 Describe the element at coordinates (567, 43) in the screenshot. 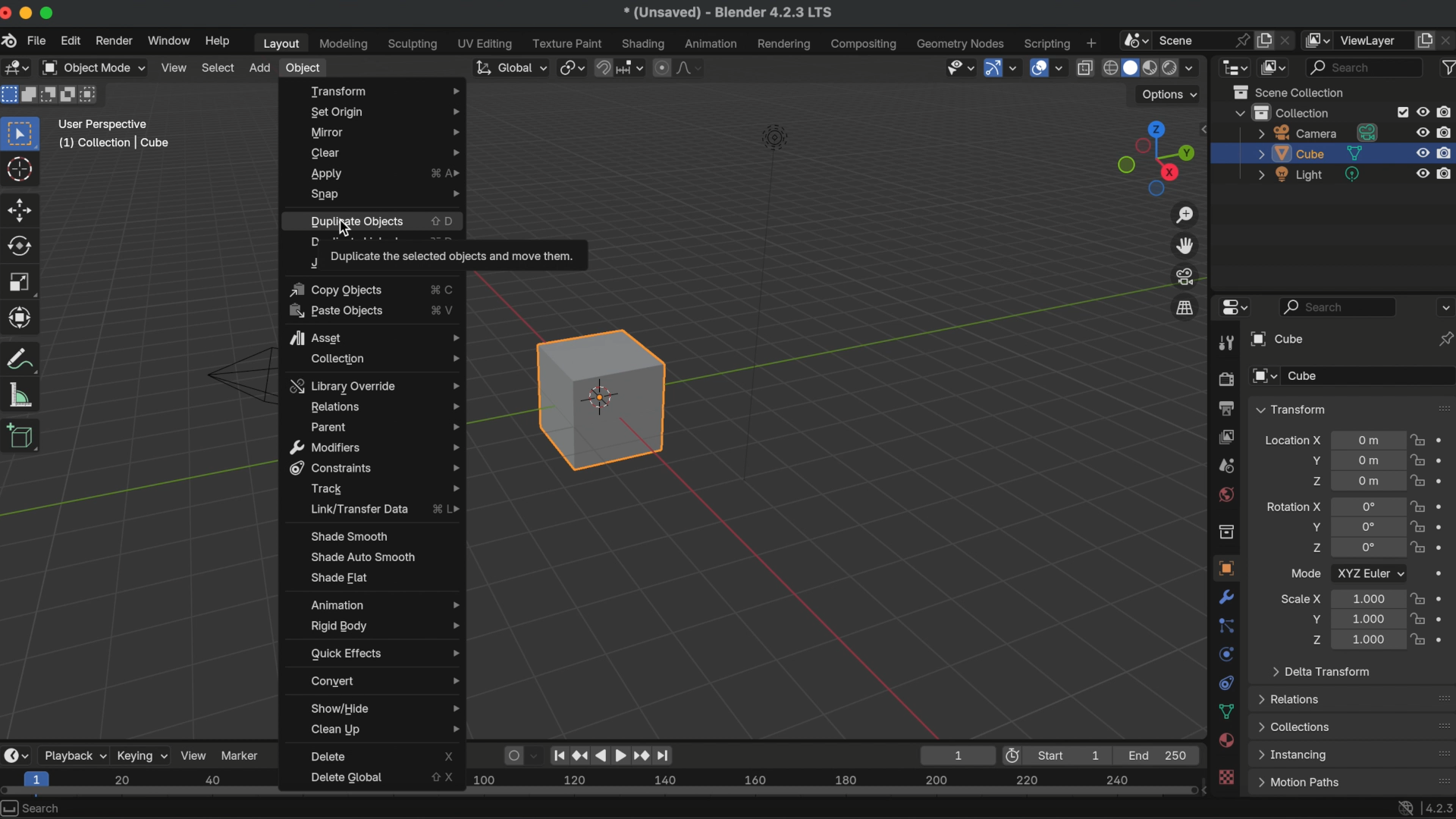

I see `texture paint` at that location.